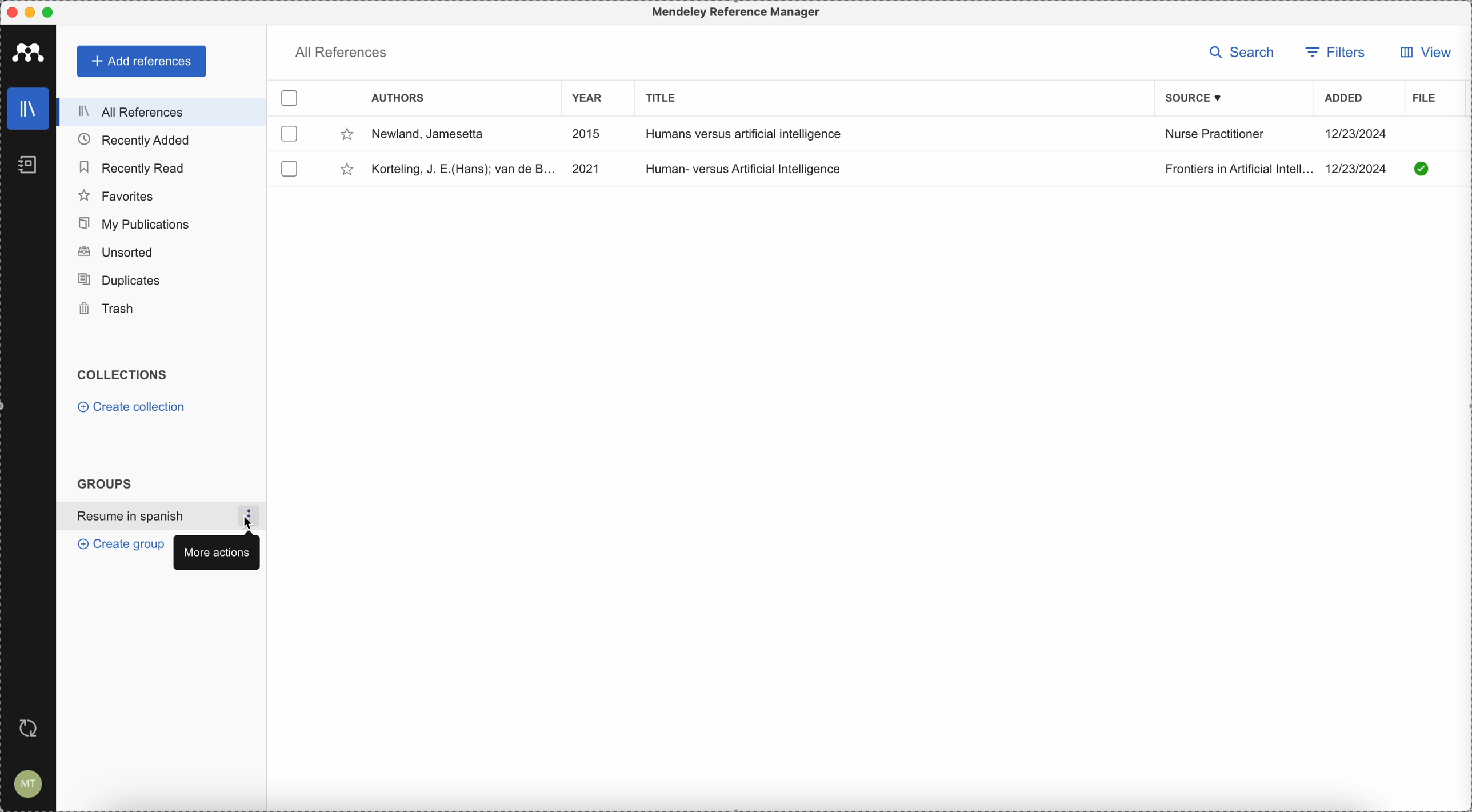 The width and height of the screenshot is (1472, 812). Describe the element at coordinates (254, 516) in the screenshot. I see `click on more options` at that location.